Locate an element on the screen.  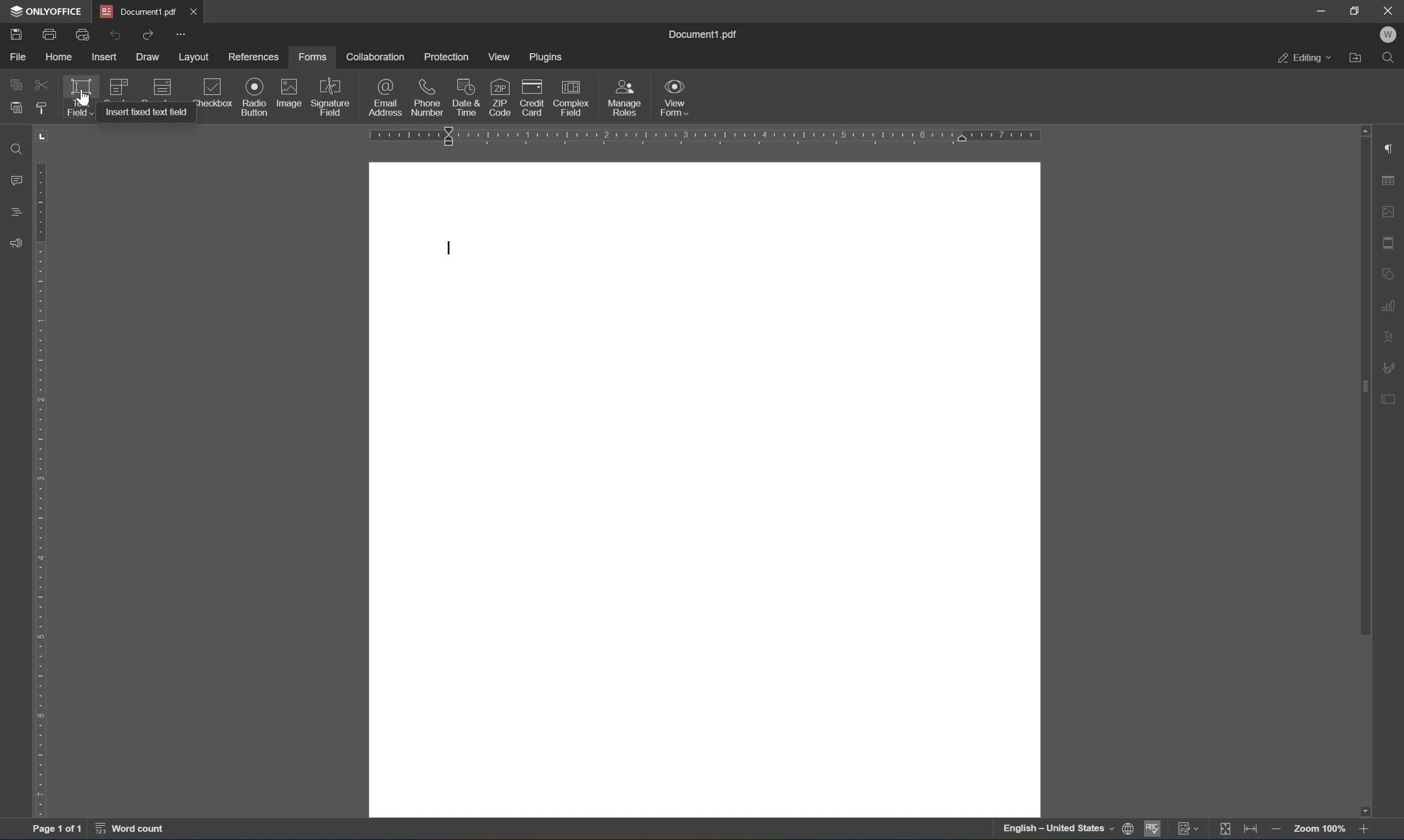
copy style is located at coordinates (41, 108).